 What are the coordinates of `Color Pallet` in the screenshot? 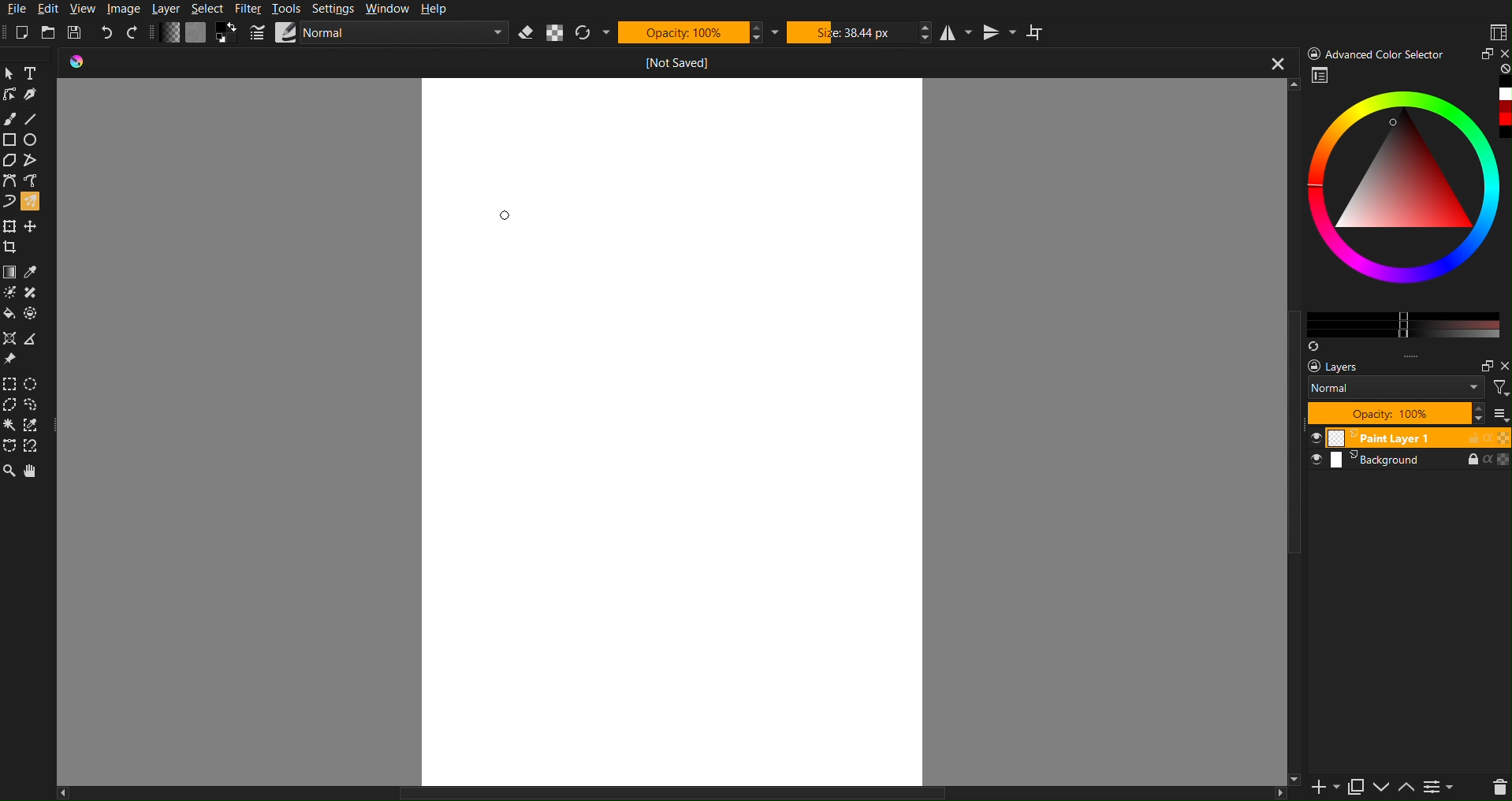 It's located at (35, 317).